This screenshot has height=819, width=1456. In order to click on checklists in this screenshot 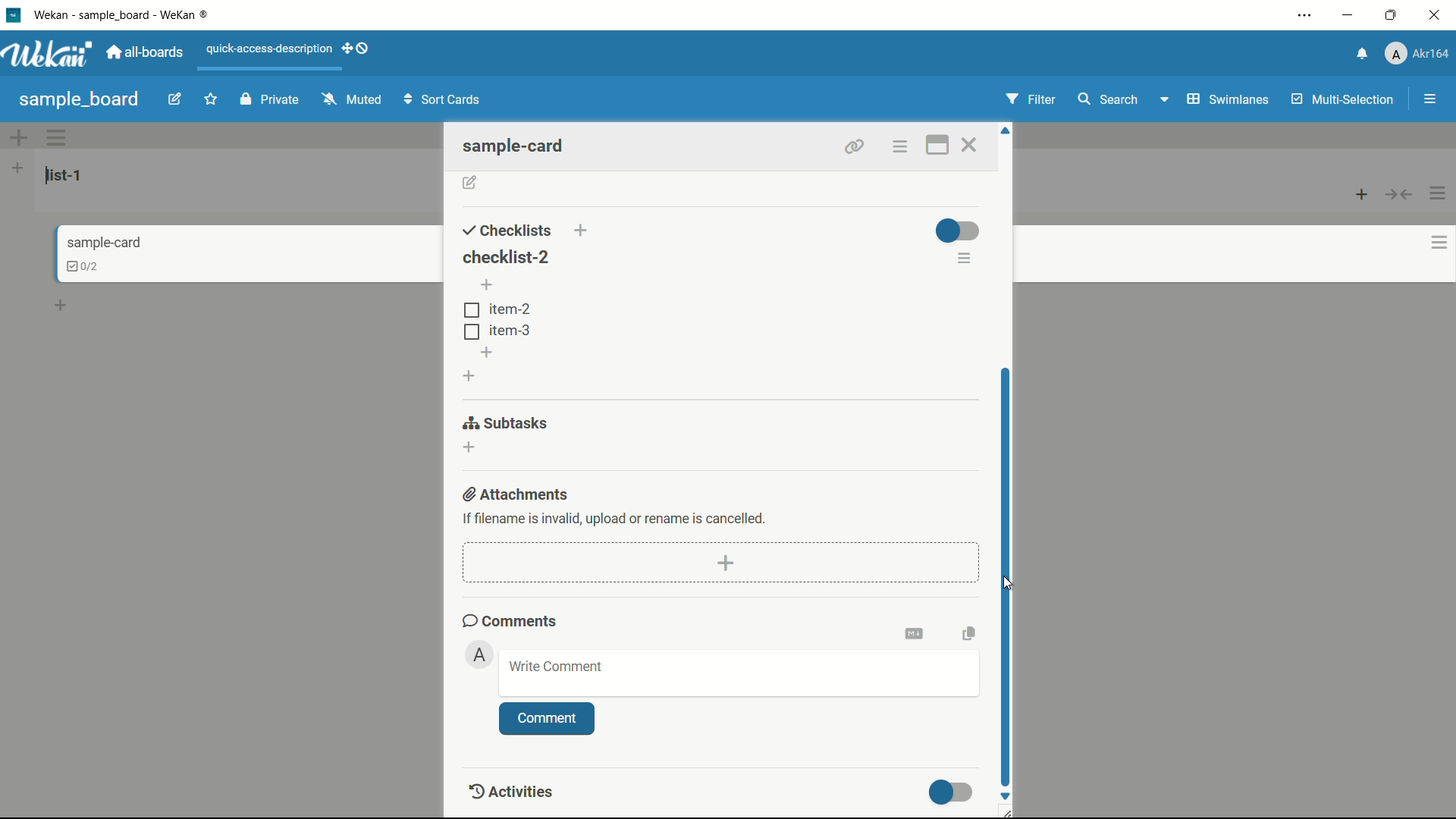, I will do `click(507, 231)`.